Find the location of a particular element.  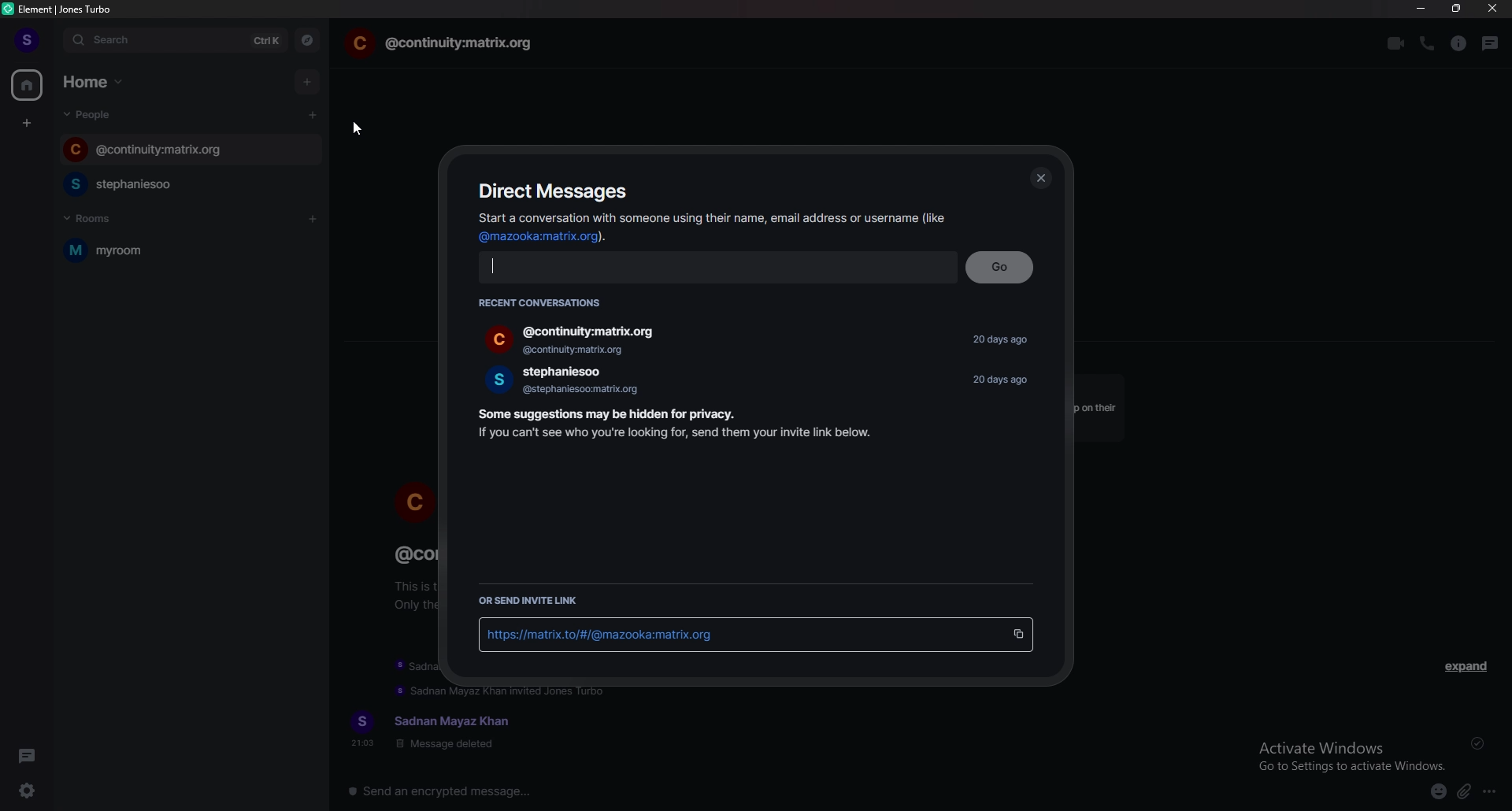

cursor is located at coordinates (361, 125).